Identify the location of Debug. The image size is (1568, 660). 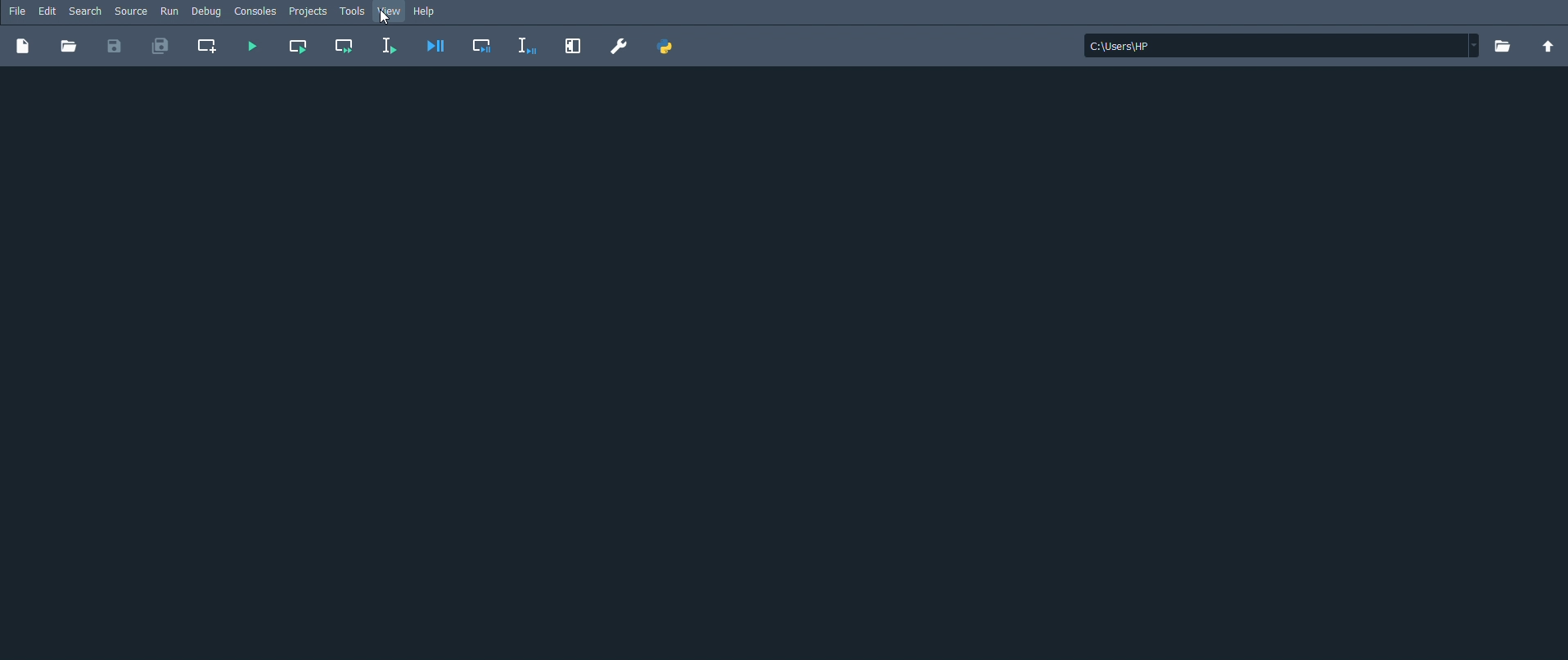
(206, 11).